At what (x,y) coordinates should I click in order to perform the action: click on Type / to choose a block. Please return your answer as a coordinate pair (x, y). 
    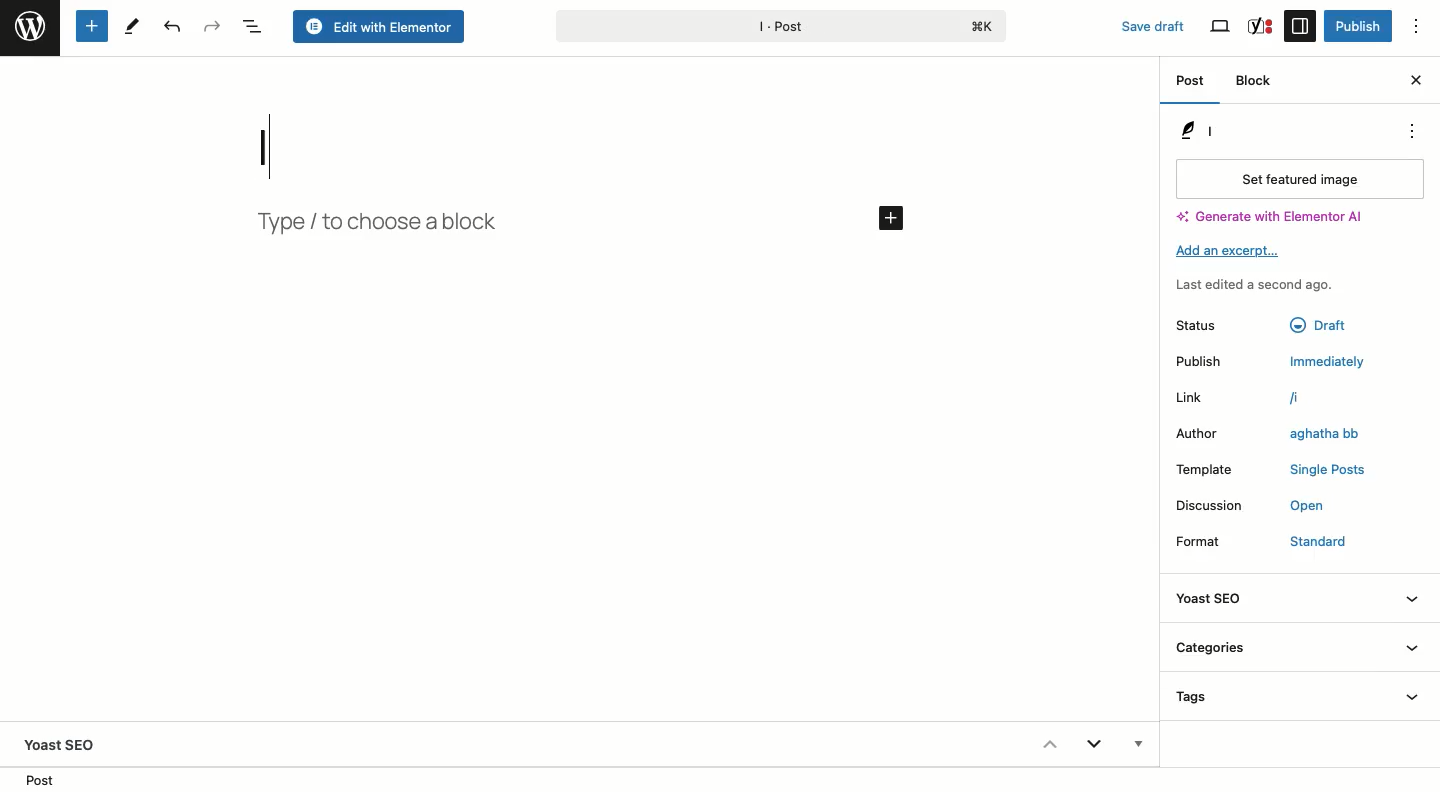
    Looking at the image, I should click on (385, 222).